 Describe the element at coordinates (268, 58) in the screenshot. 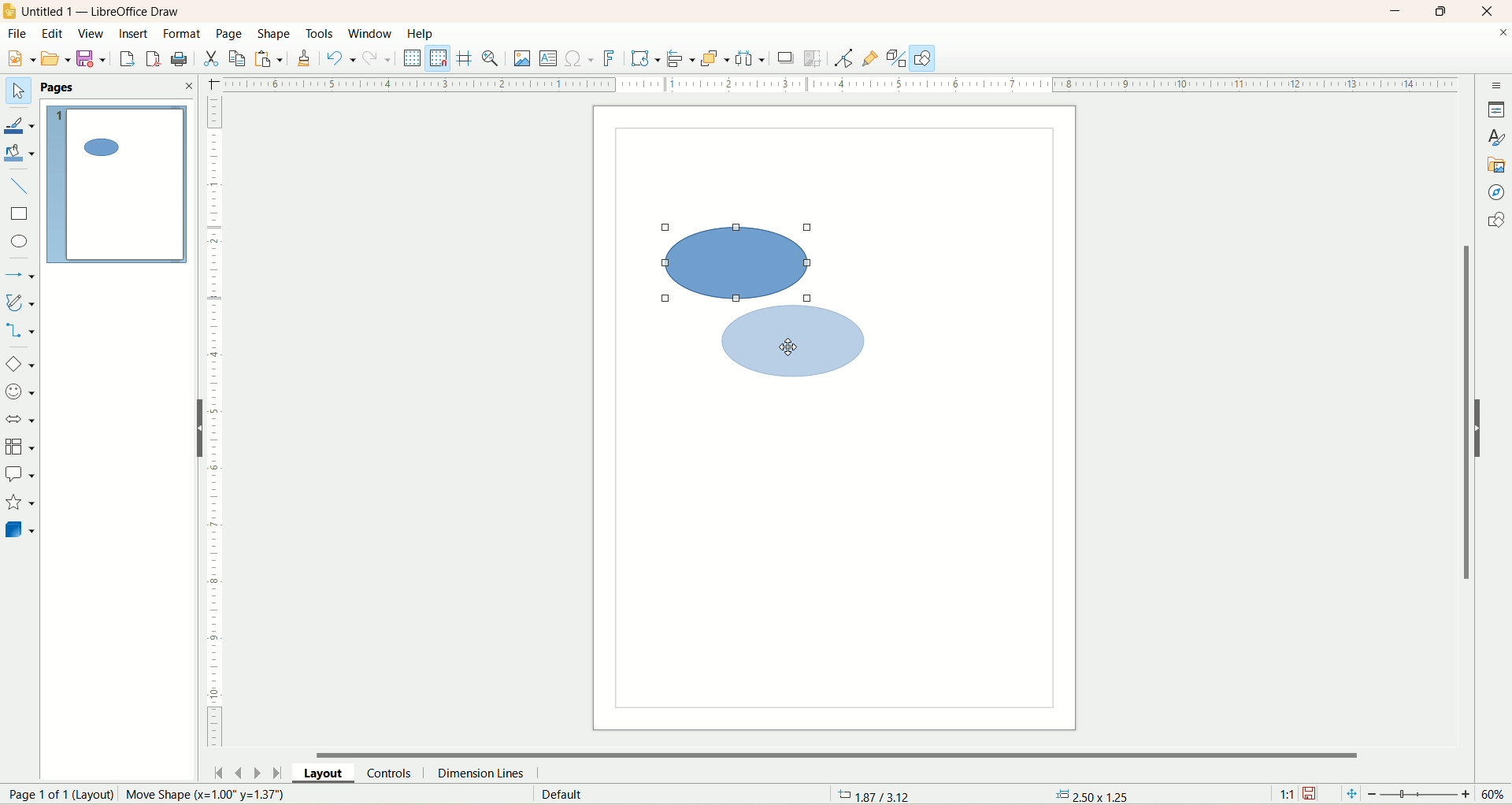

I see `paste` at that location.